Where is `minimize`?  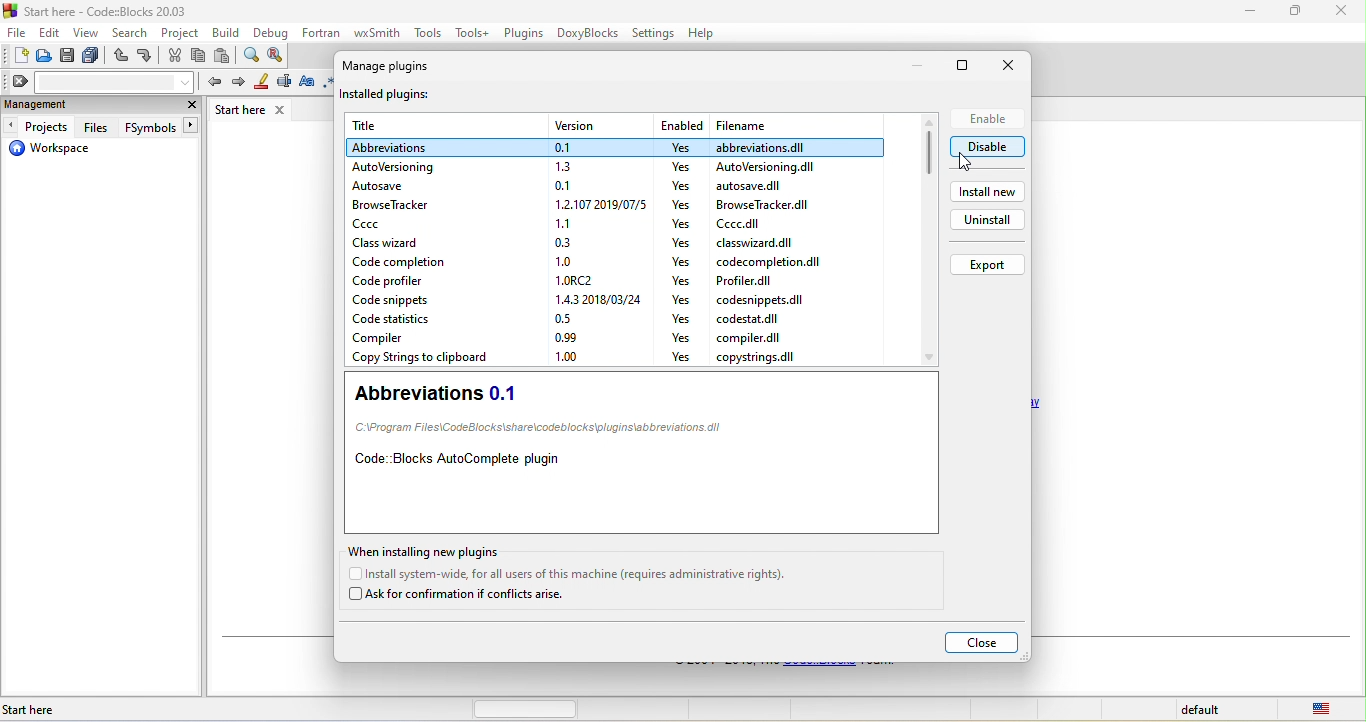
minimize is located at coordinates (1250, 15).